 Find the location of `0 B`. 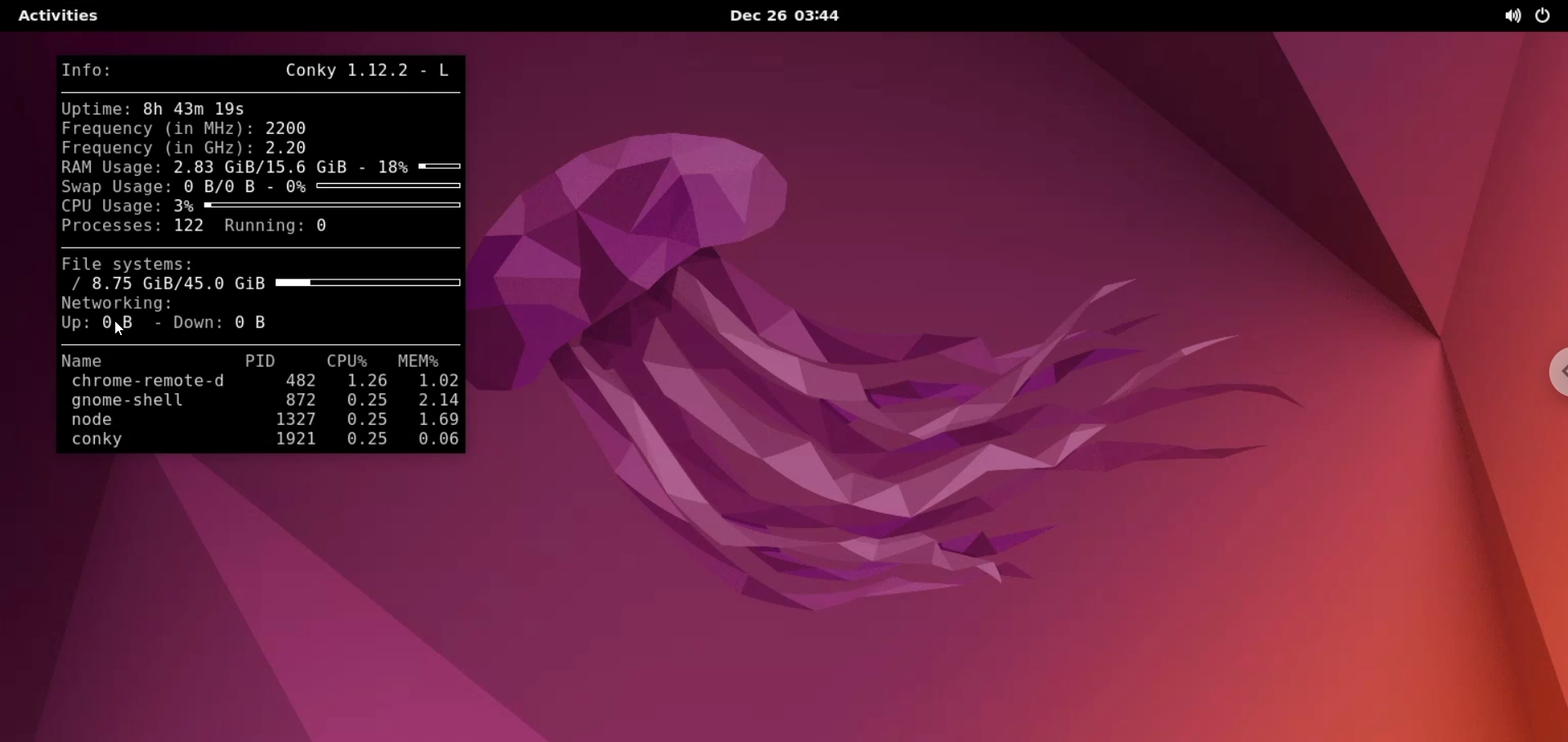

0 B is located at coordinates (253, 324).